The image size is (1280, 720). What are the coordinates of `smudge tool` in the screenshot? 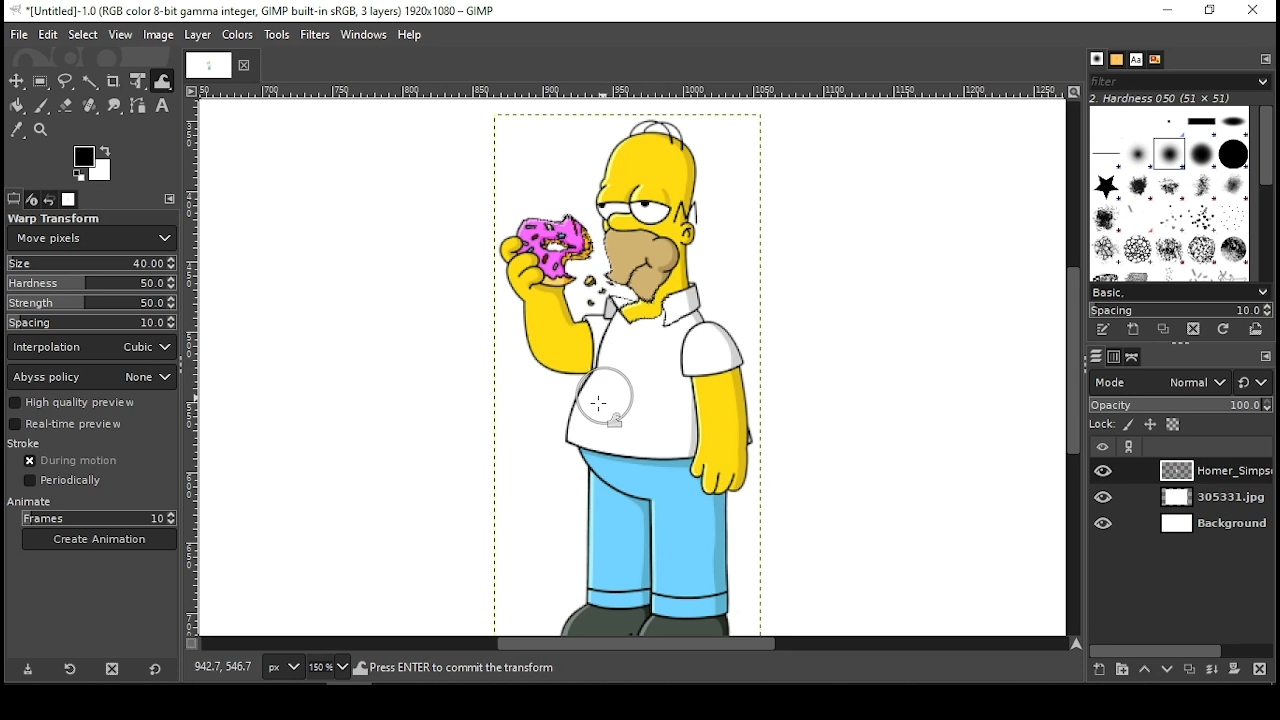 It's located at (115, 105).